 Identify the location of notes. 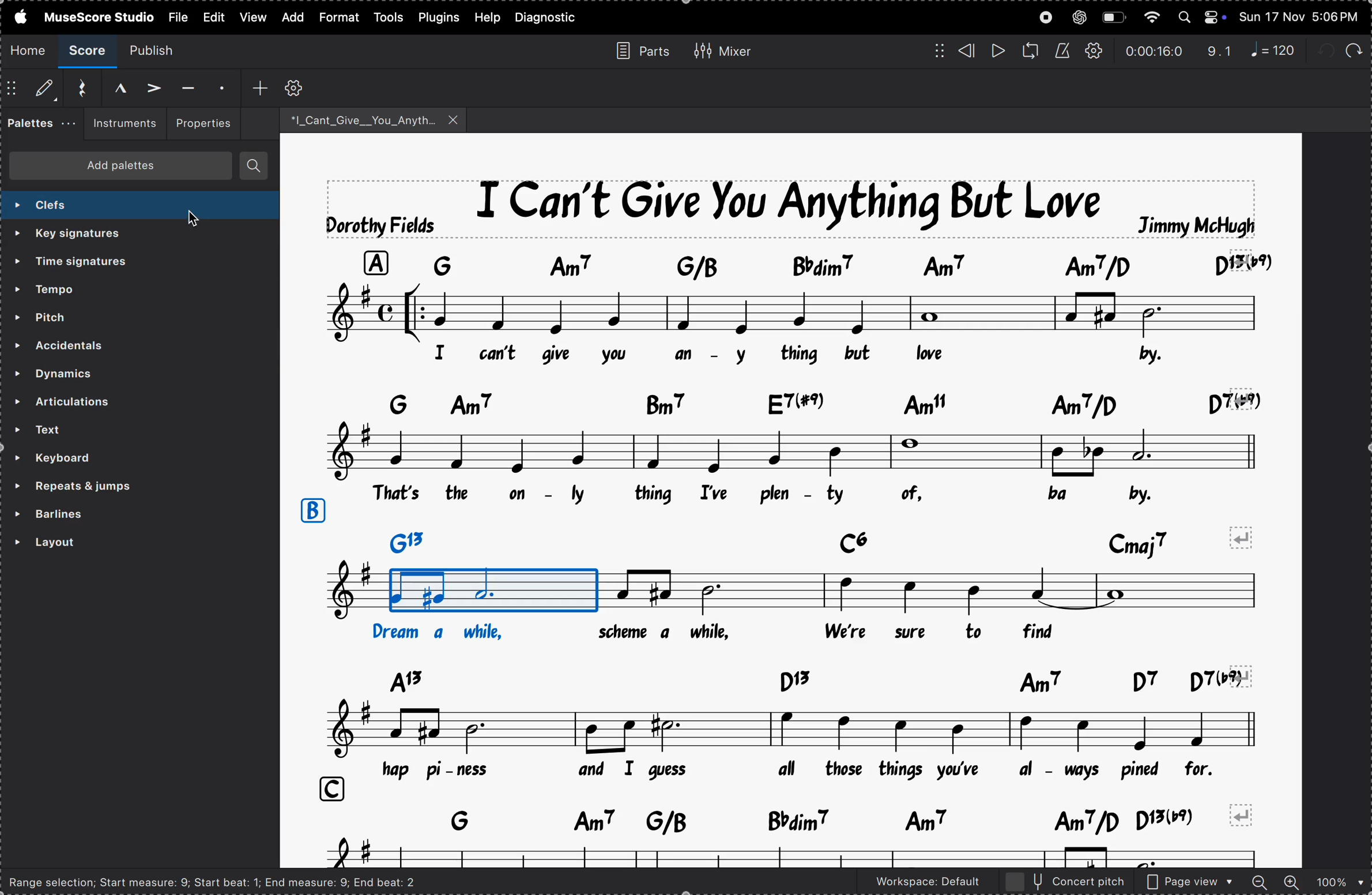
(793, 311).